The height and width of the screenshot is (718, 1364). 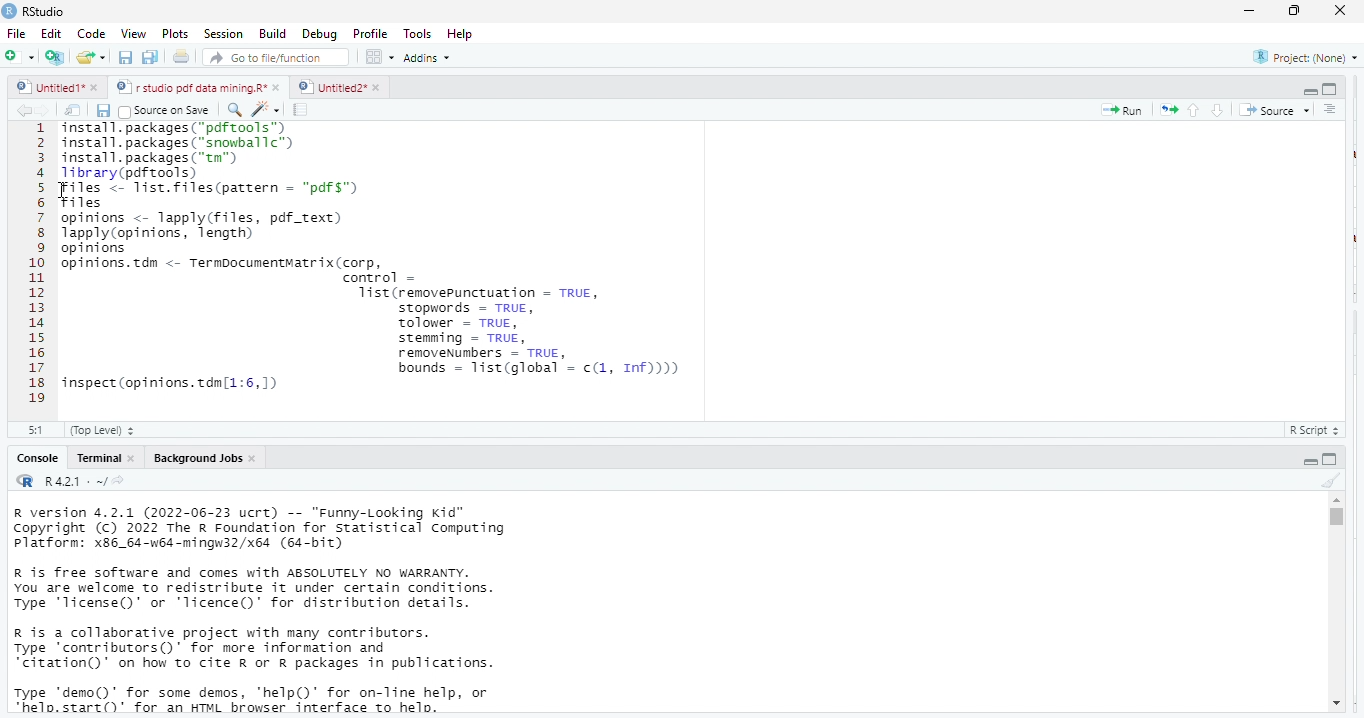 I want to click on show document outline, so click(x=1332, y=110).